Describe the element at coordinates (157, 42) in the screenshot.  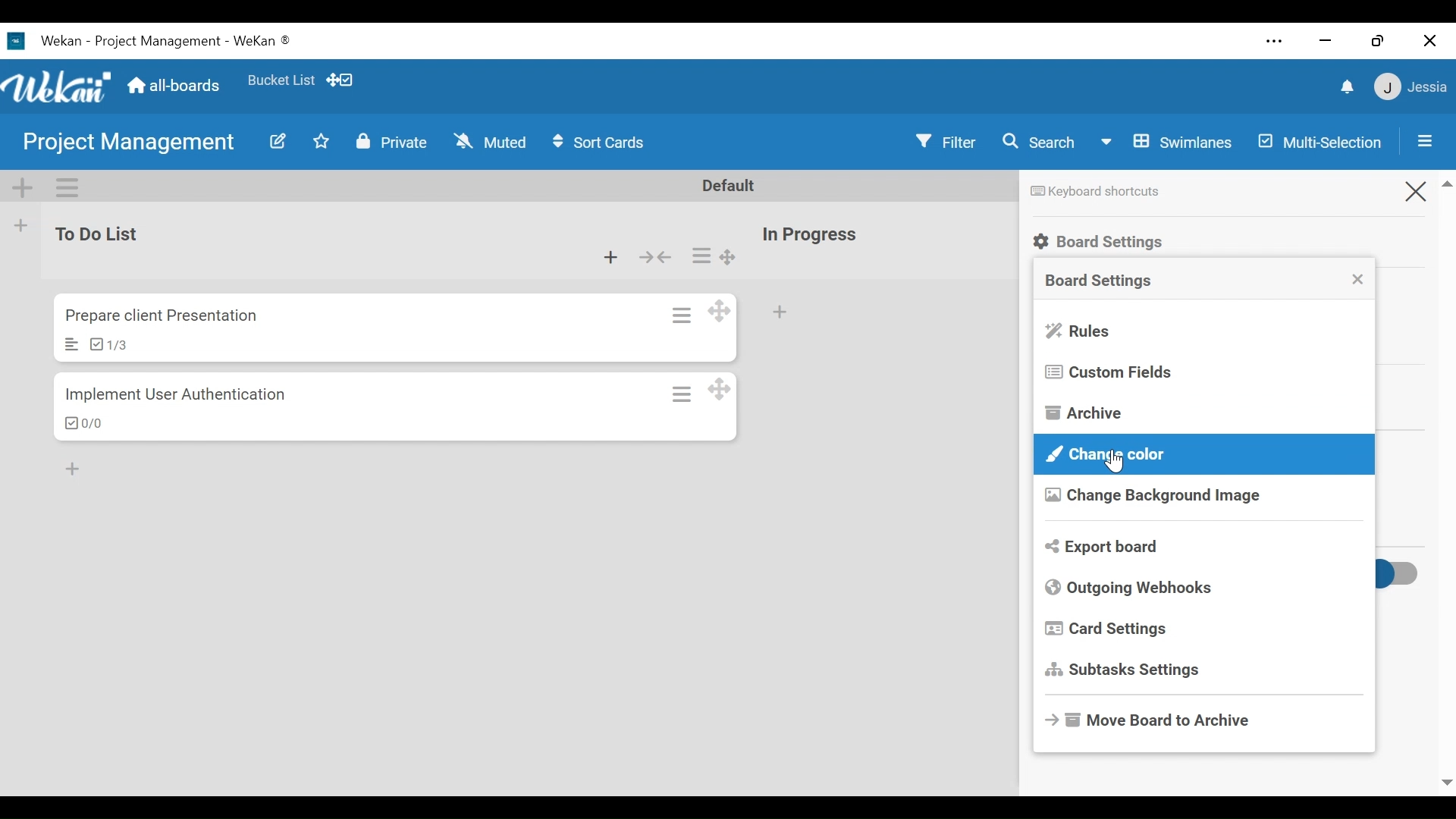
I see `Wekan Desktop icon` at that location.